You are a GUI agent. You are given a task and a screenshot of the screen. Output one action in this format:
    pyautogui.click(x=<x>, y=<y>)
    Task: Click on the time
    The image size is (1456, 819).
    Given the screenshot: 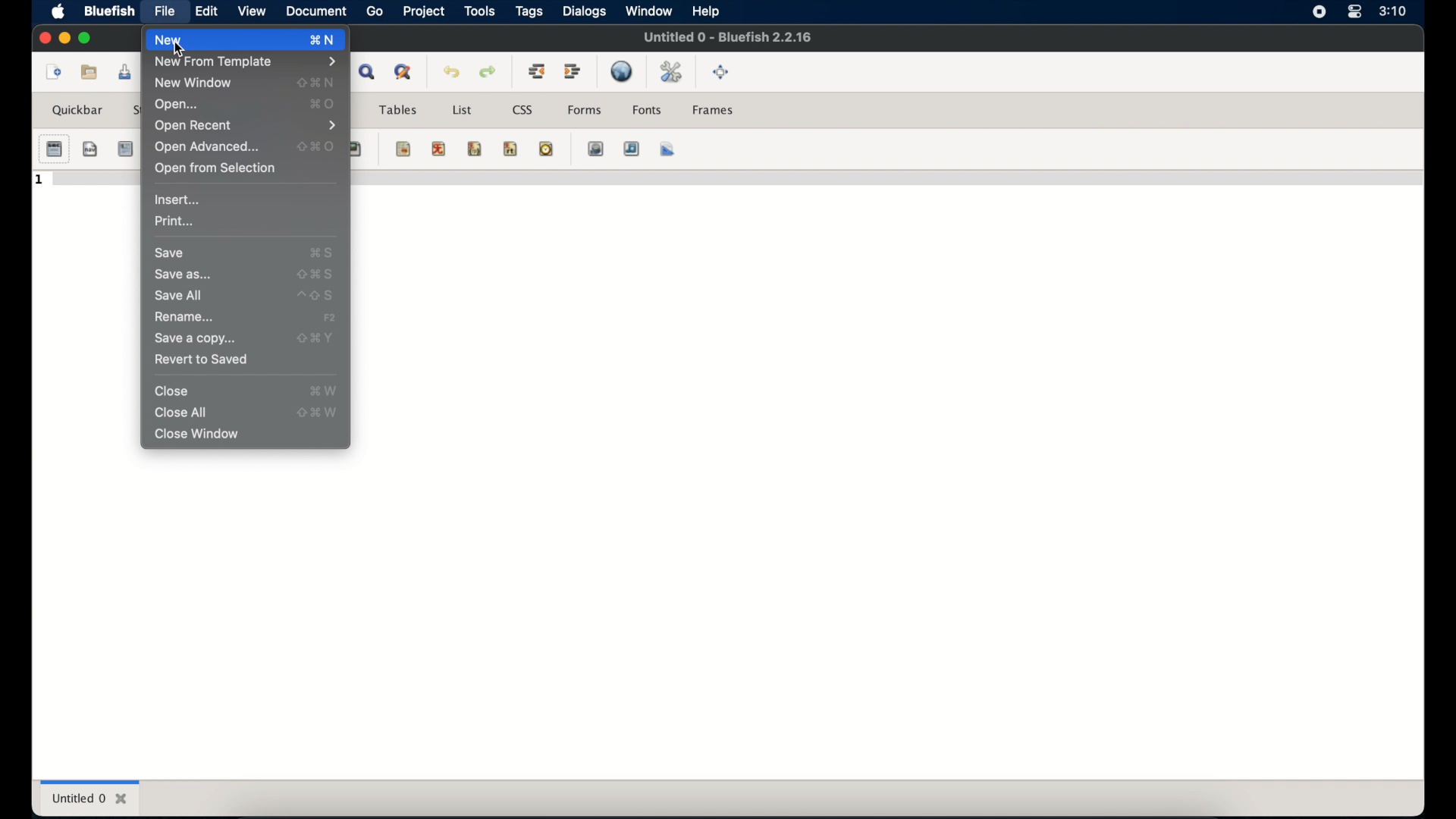 What is the action you would take?
    pyautogui.click(x=546, y=149)
    